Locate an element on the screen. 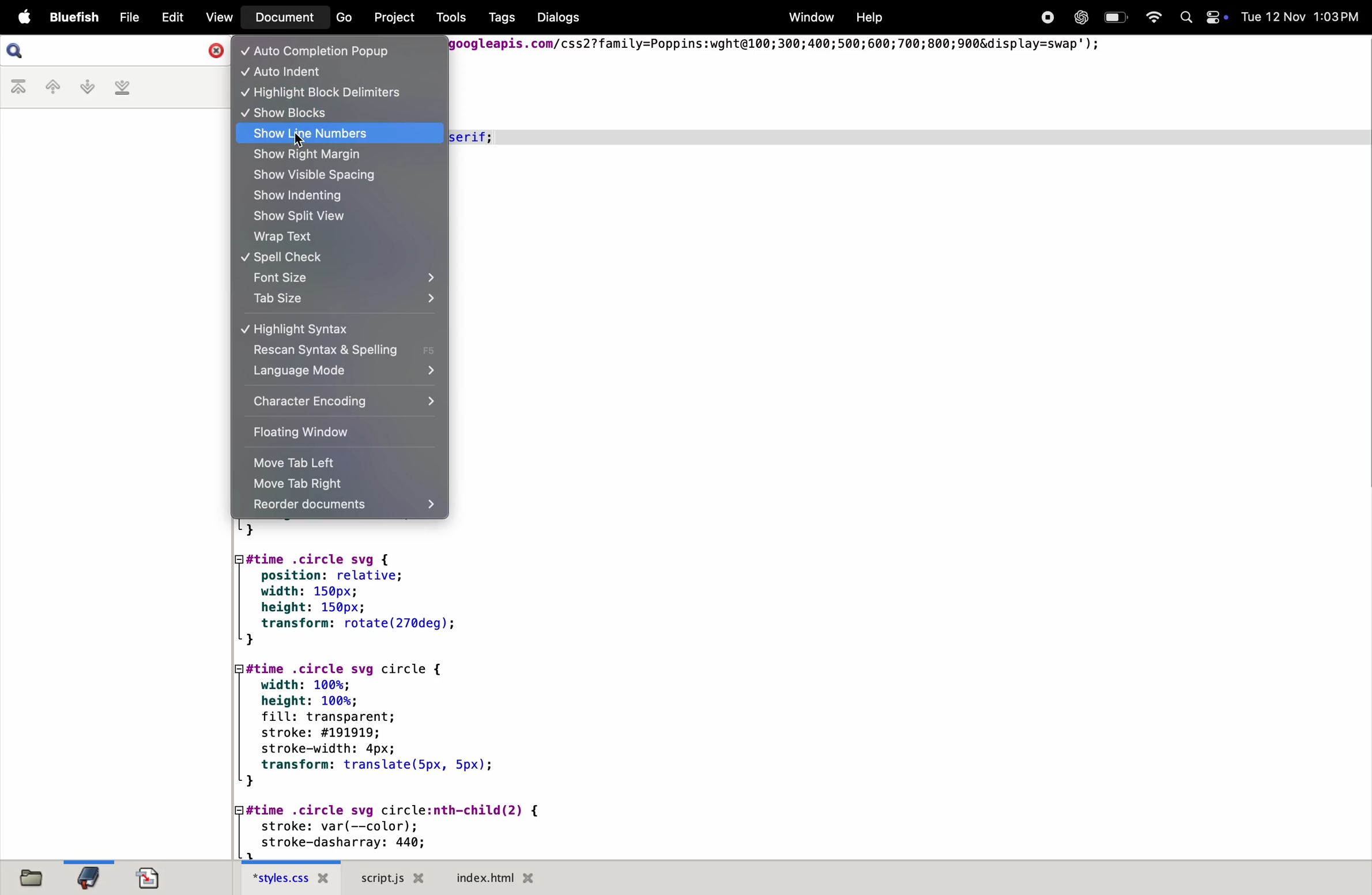  show split view is located at coordinates (344, 218).